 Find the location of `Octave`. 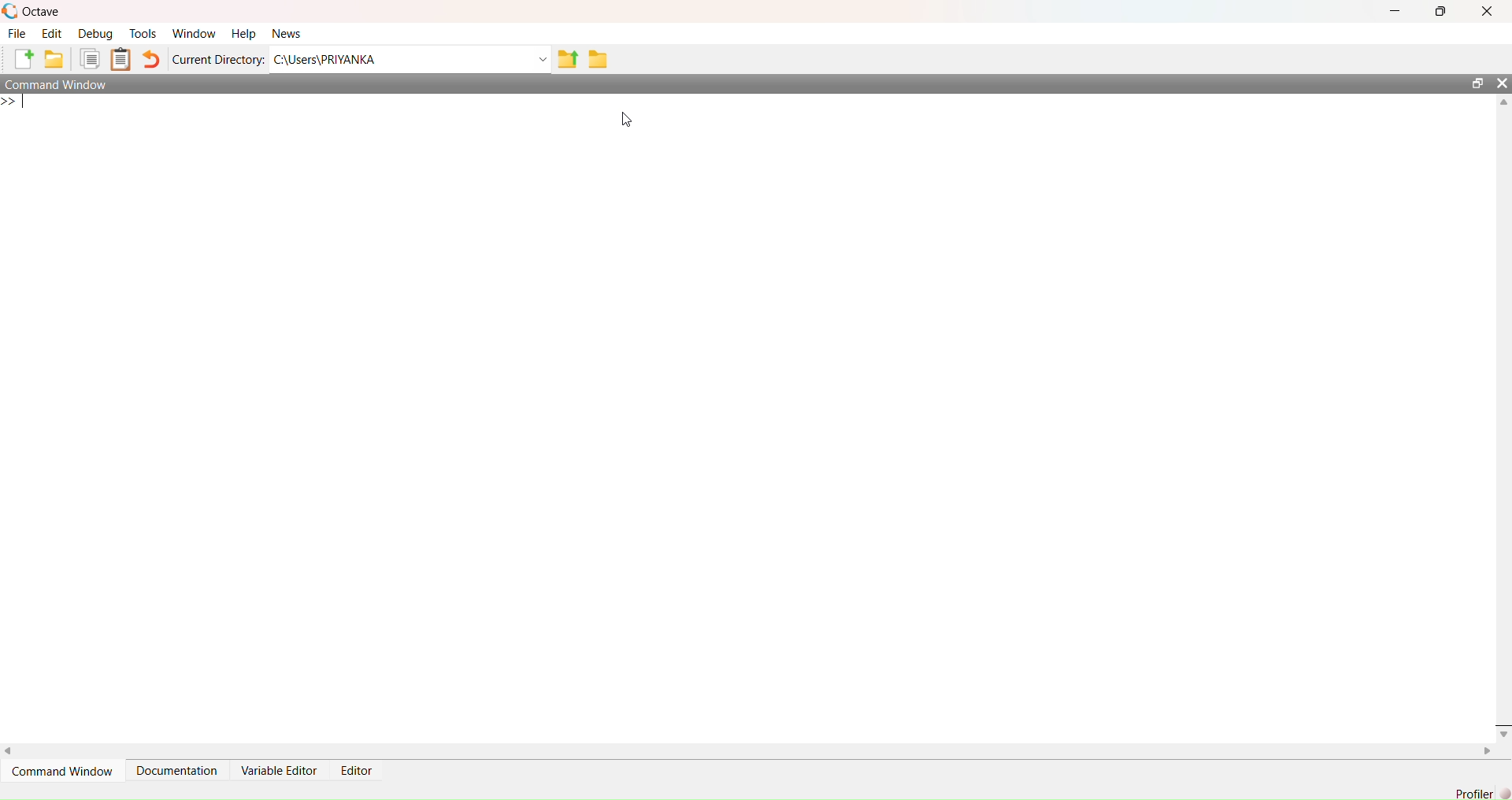

Octave is located at coordinates (35, 12).